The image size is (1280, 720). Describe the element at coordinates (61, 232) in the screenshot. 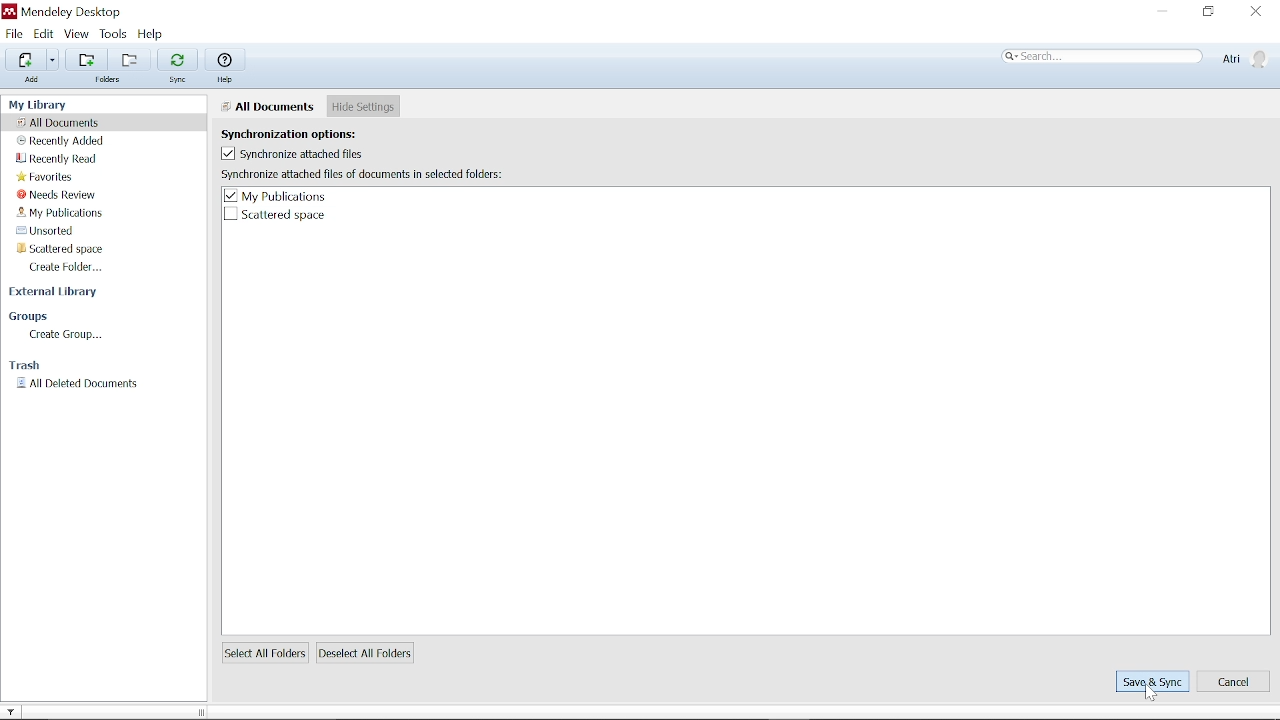

I see `Unsorted` at that location.